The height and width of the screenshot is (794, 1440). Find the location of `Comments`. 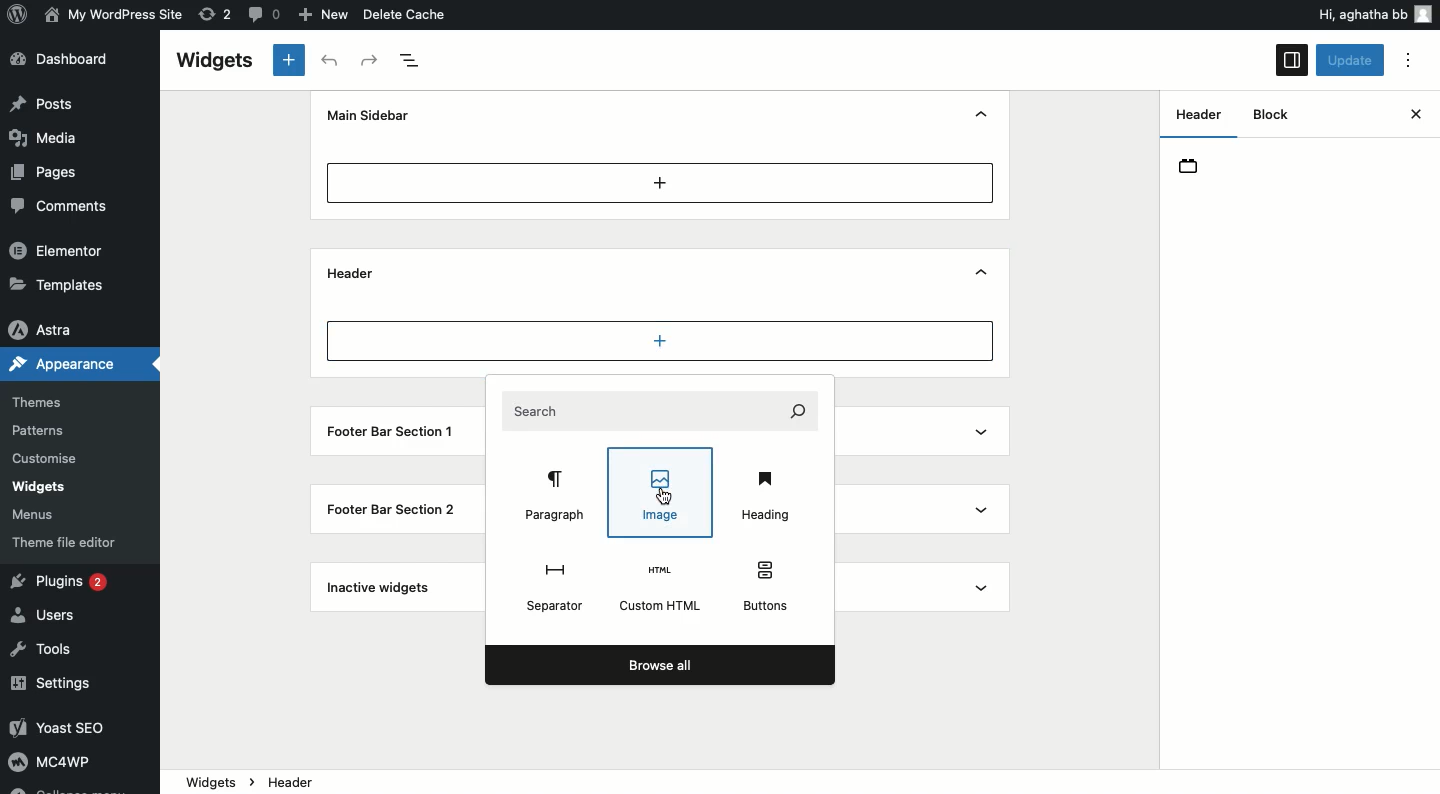

Comments is located at coordinates (54, 205).